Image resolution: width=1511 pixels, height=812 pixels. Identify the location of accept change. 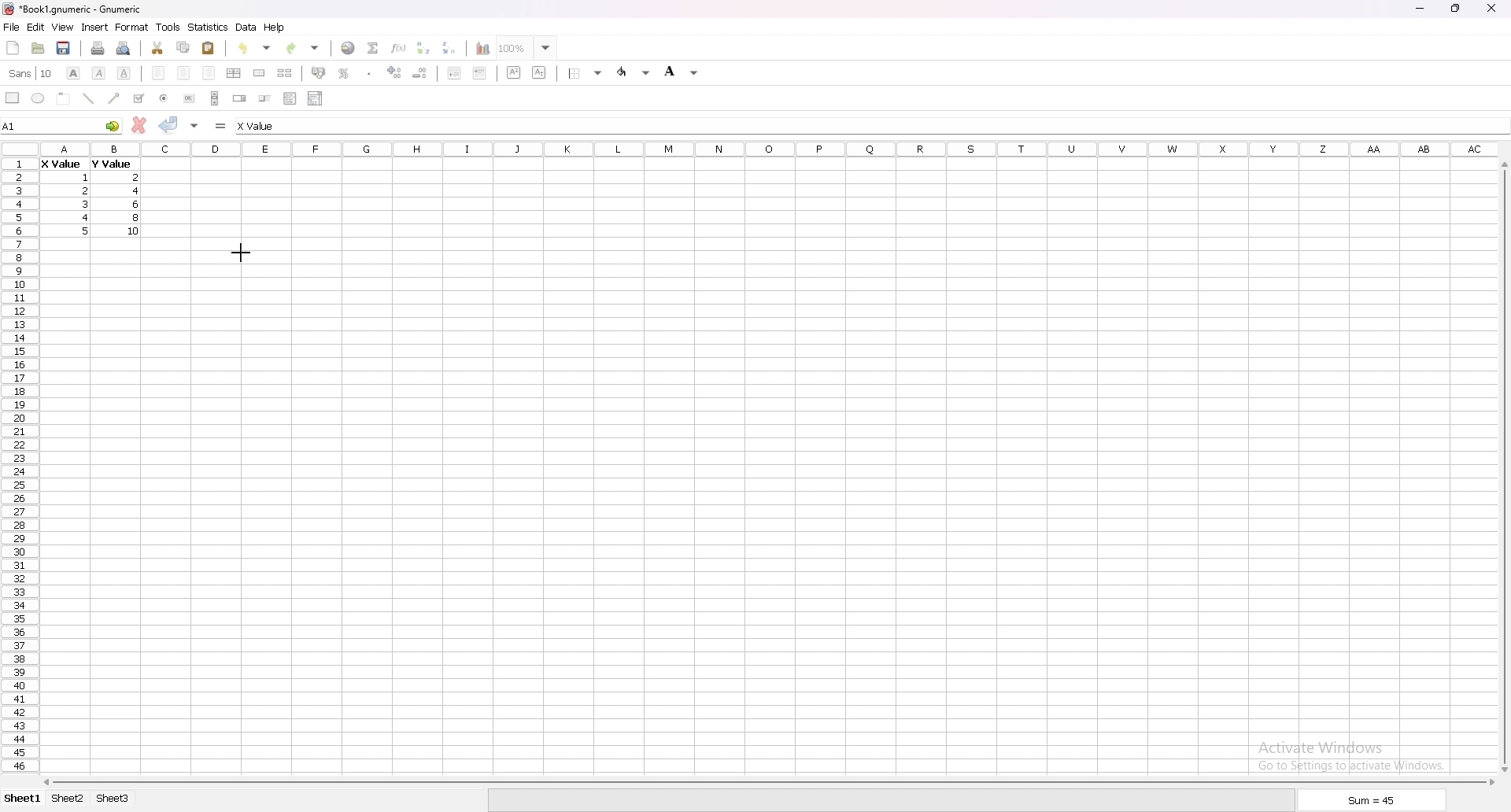
(168, 124).